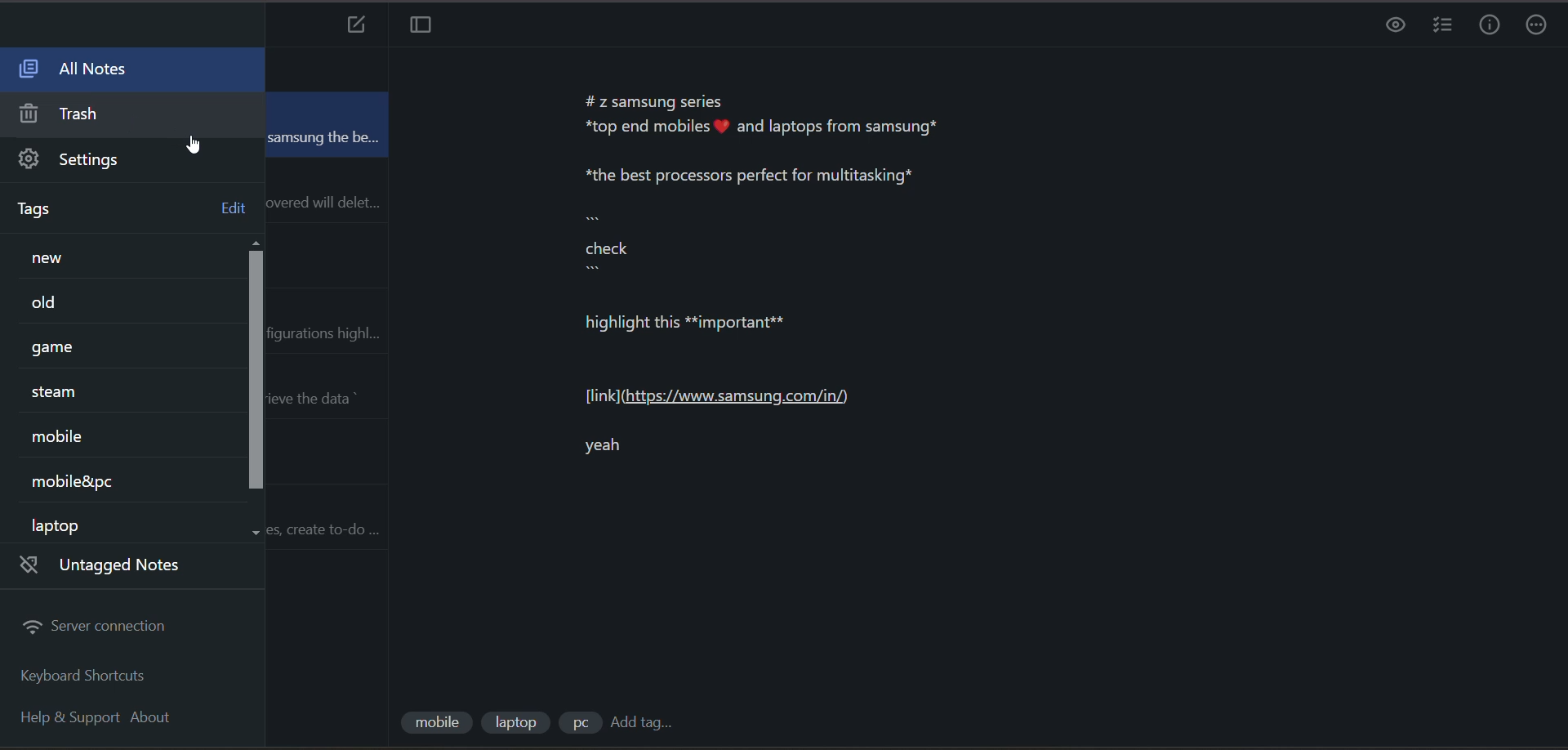  What do you see at coordinates (83, 163) in the screenshot?
I see `settings` at bounding box center [83, 163].